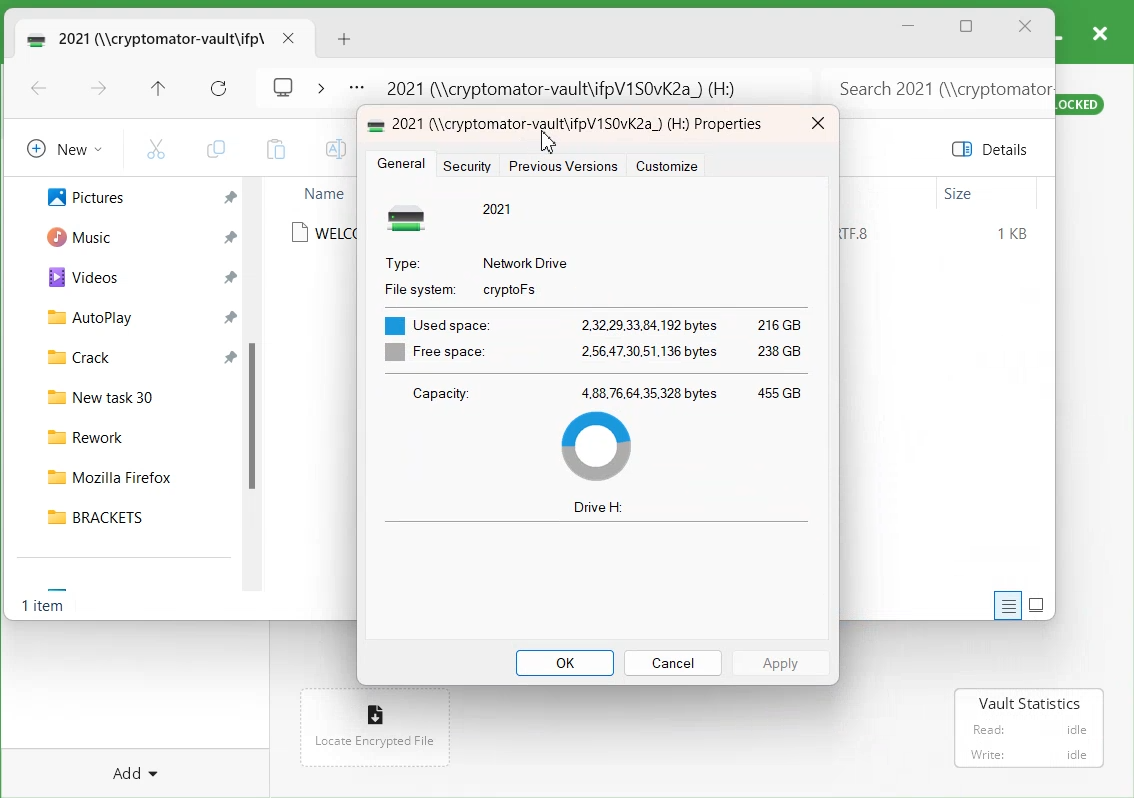 Image resolution: width=1134 pixels, height=798 pixels. Describe the element at coordinates (1014, 234) in the screenshot. I see `1 KB` at that location.